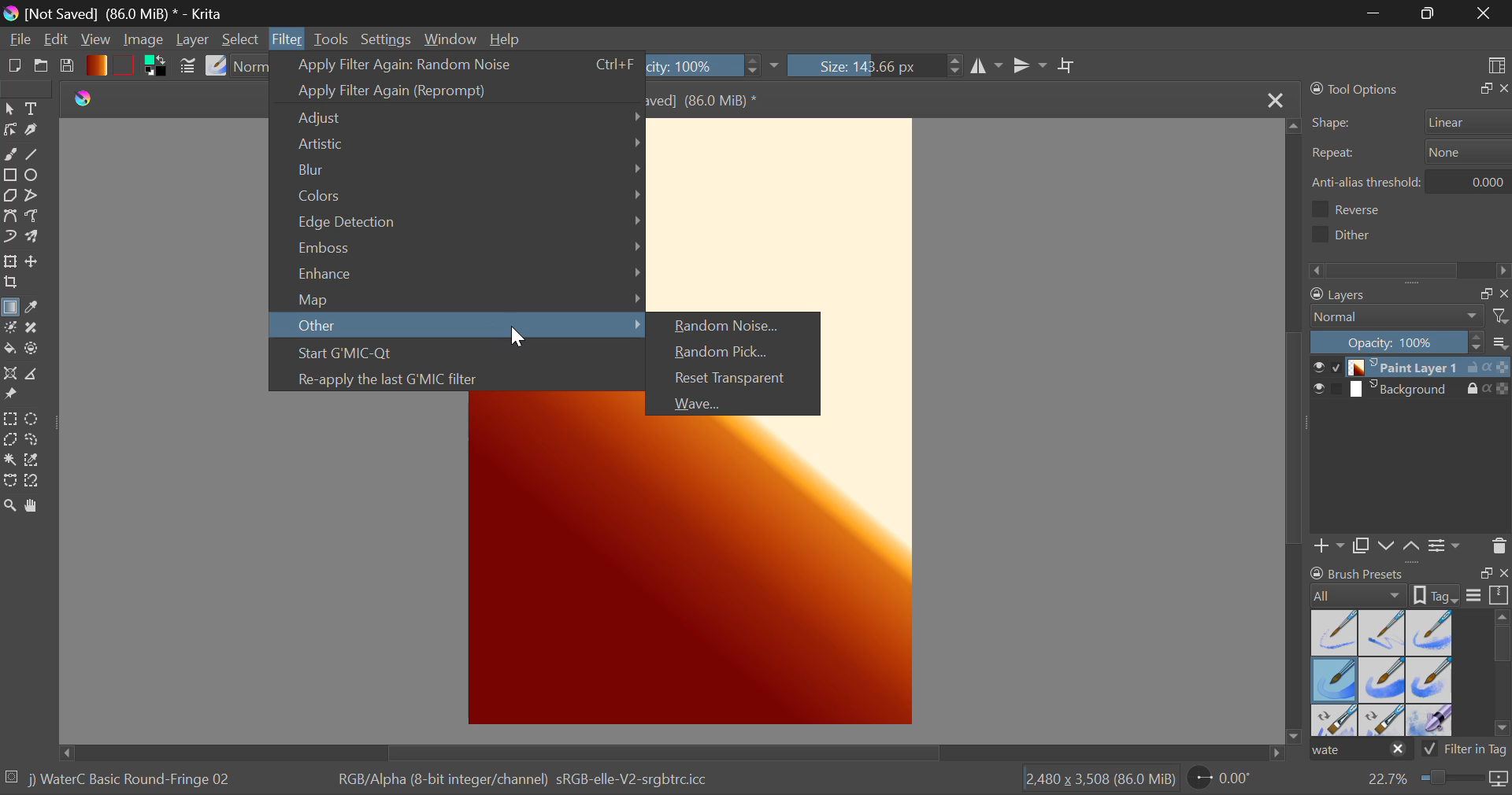 The image size is (1512, 795). Describe the element at coordinates (506, 37) in the screenshot. I see `Help` at that location.